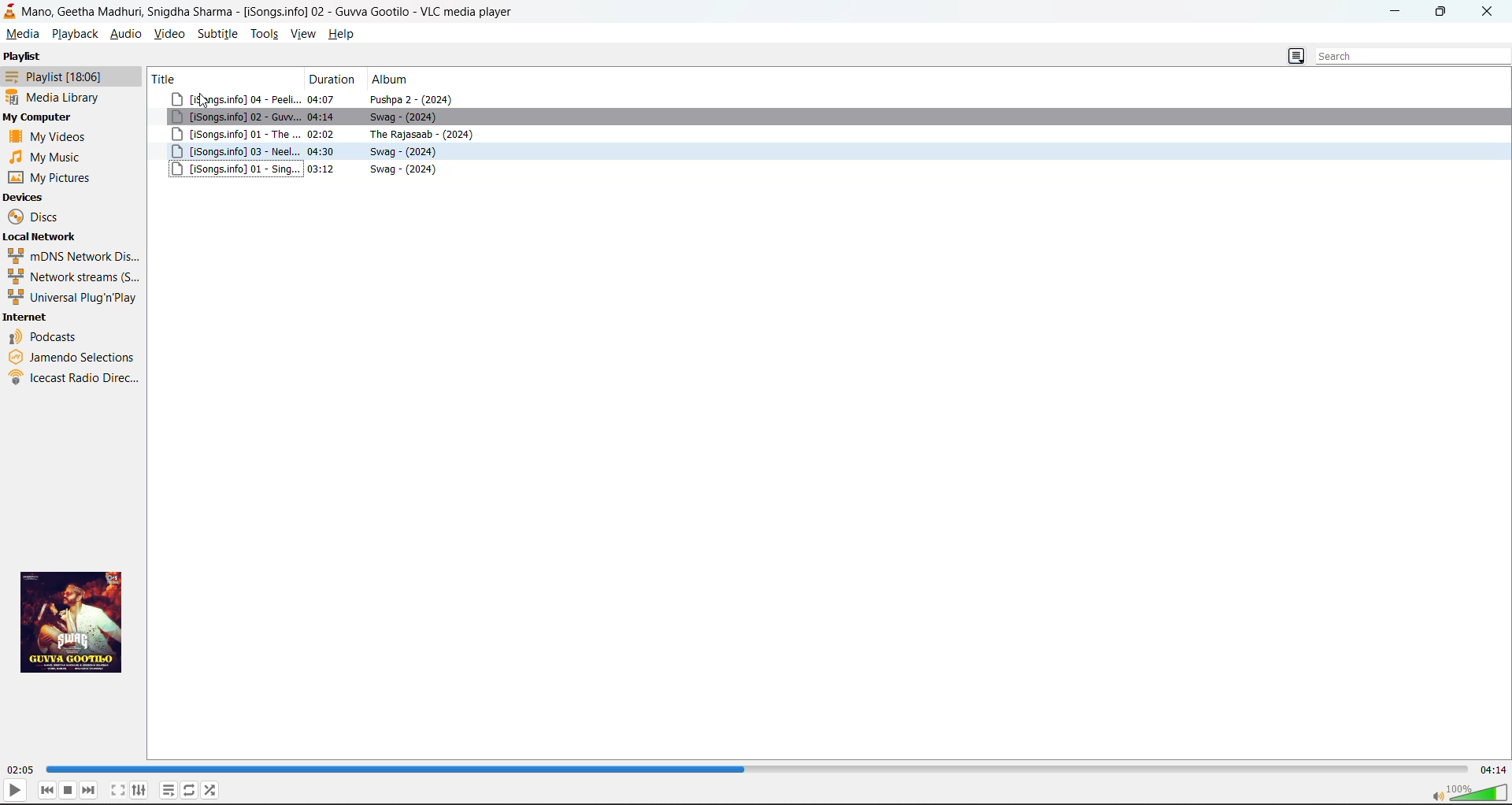  I want to click on audio, so click(125, 33).